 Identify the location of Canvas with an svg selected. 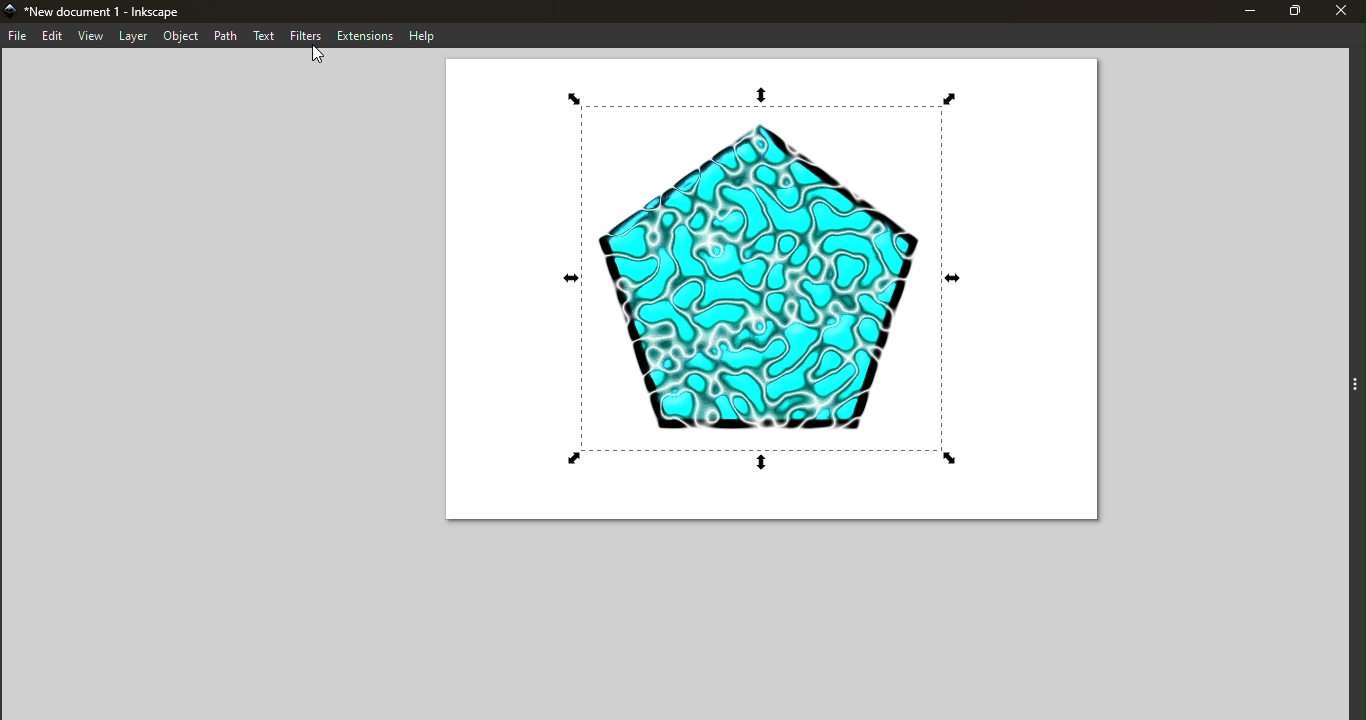
(773, 290).